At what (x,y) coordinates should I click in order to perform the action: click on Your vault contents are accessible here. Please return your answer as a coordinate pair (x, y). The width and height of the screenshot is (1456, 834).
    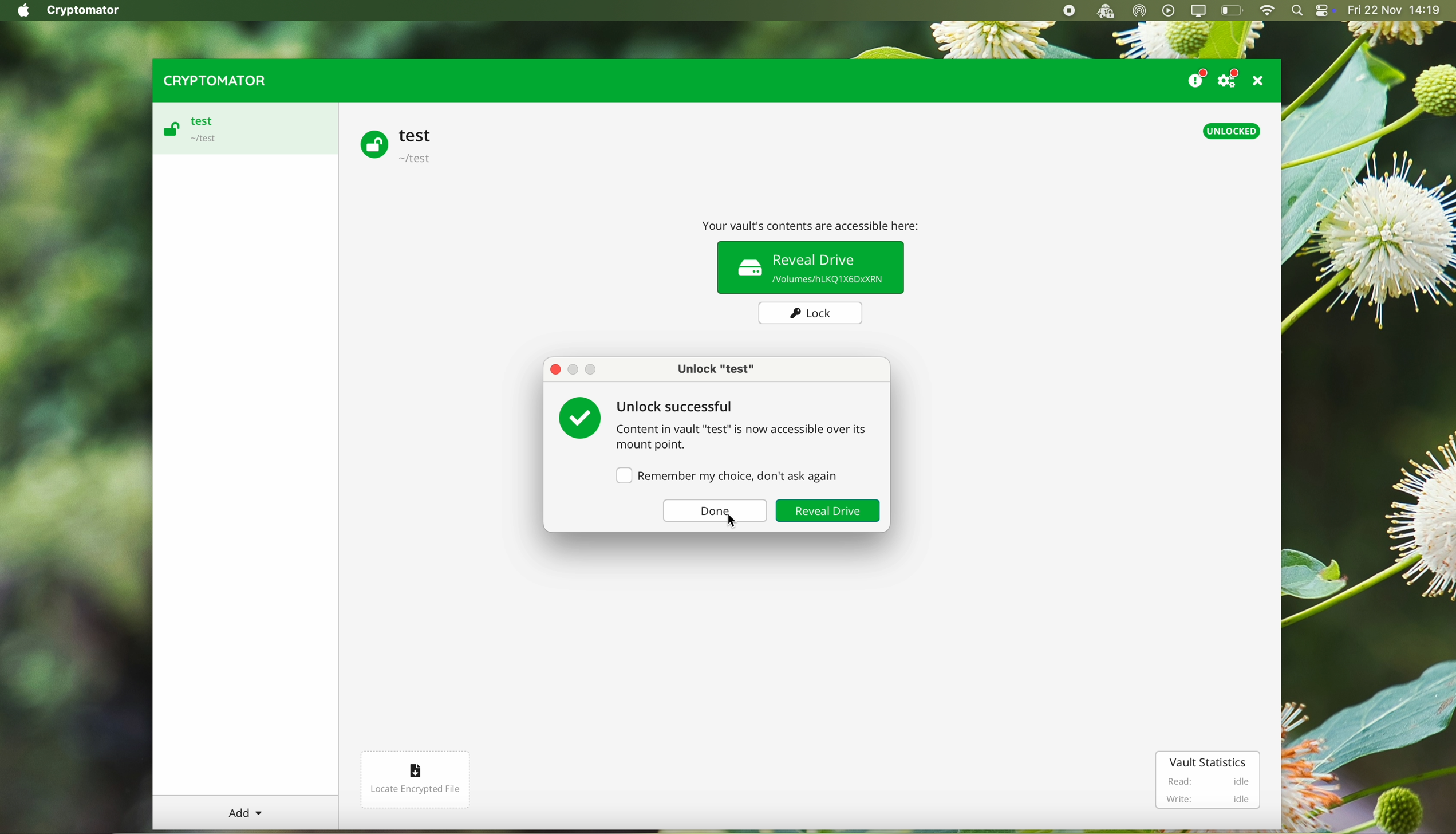
    Looking at the image, I should click on (812, 222).